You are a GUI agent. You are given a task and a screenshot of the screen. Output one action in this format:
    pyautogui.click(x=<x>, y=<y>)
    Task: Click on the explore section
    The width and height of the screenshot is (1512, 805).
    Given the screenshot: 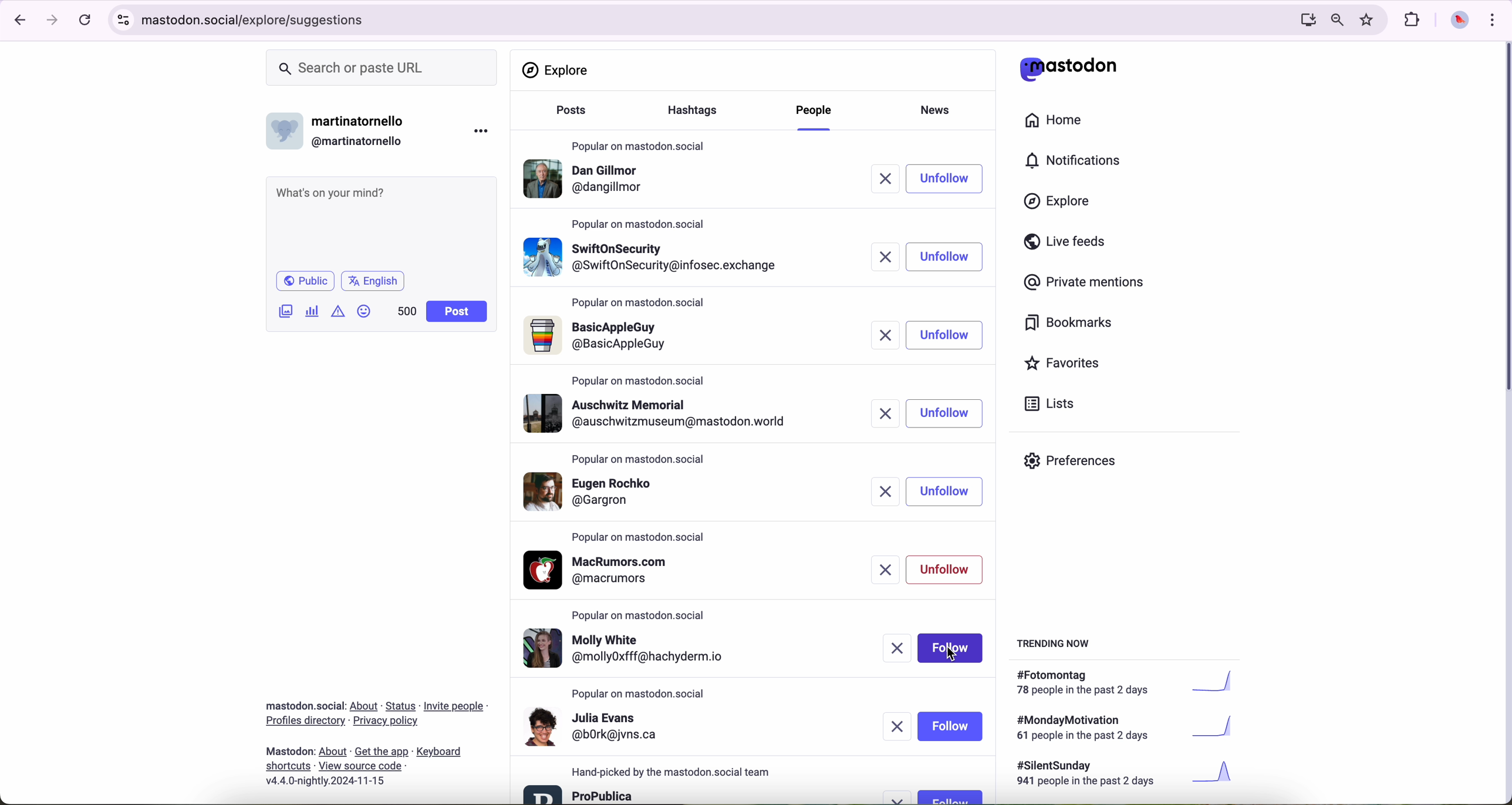 What is the action you would take?
    pyautogui.click(x=558, y=70)
    